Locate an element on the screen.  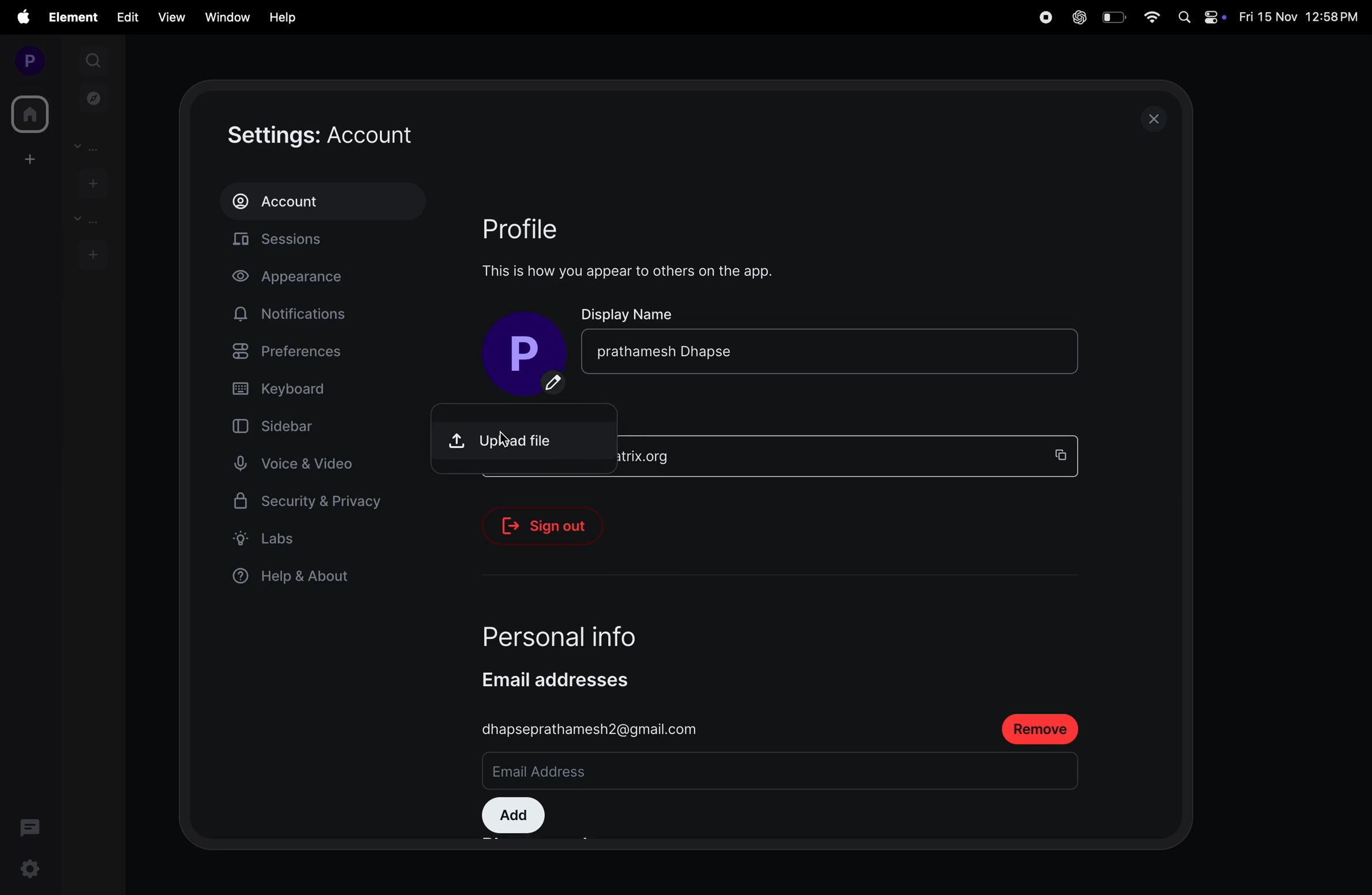
people is located at coordinates (91, 146).